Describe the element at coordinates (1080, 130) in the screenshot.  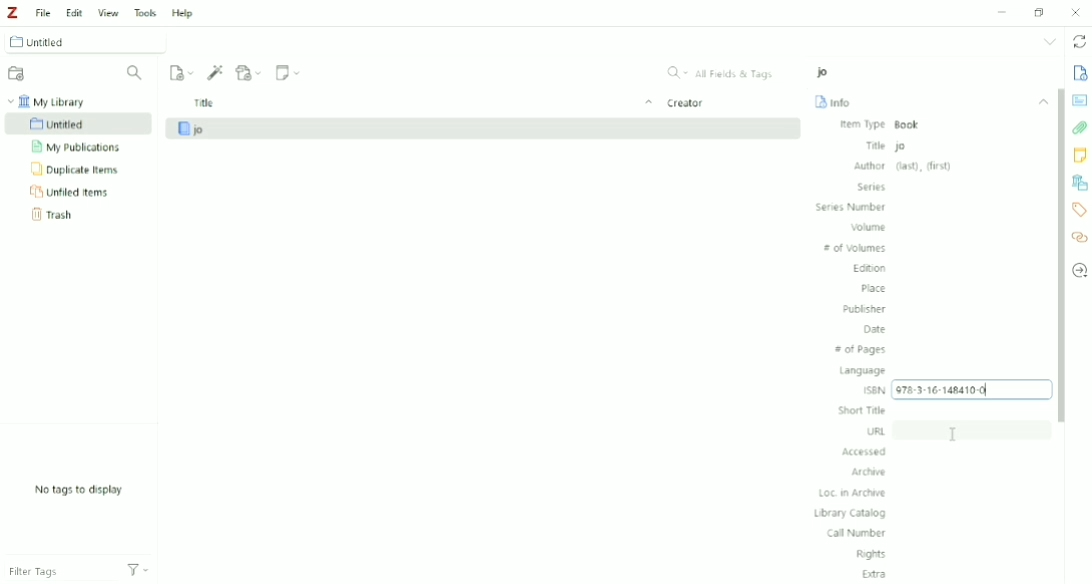
I see `Attachments` at that location.